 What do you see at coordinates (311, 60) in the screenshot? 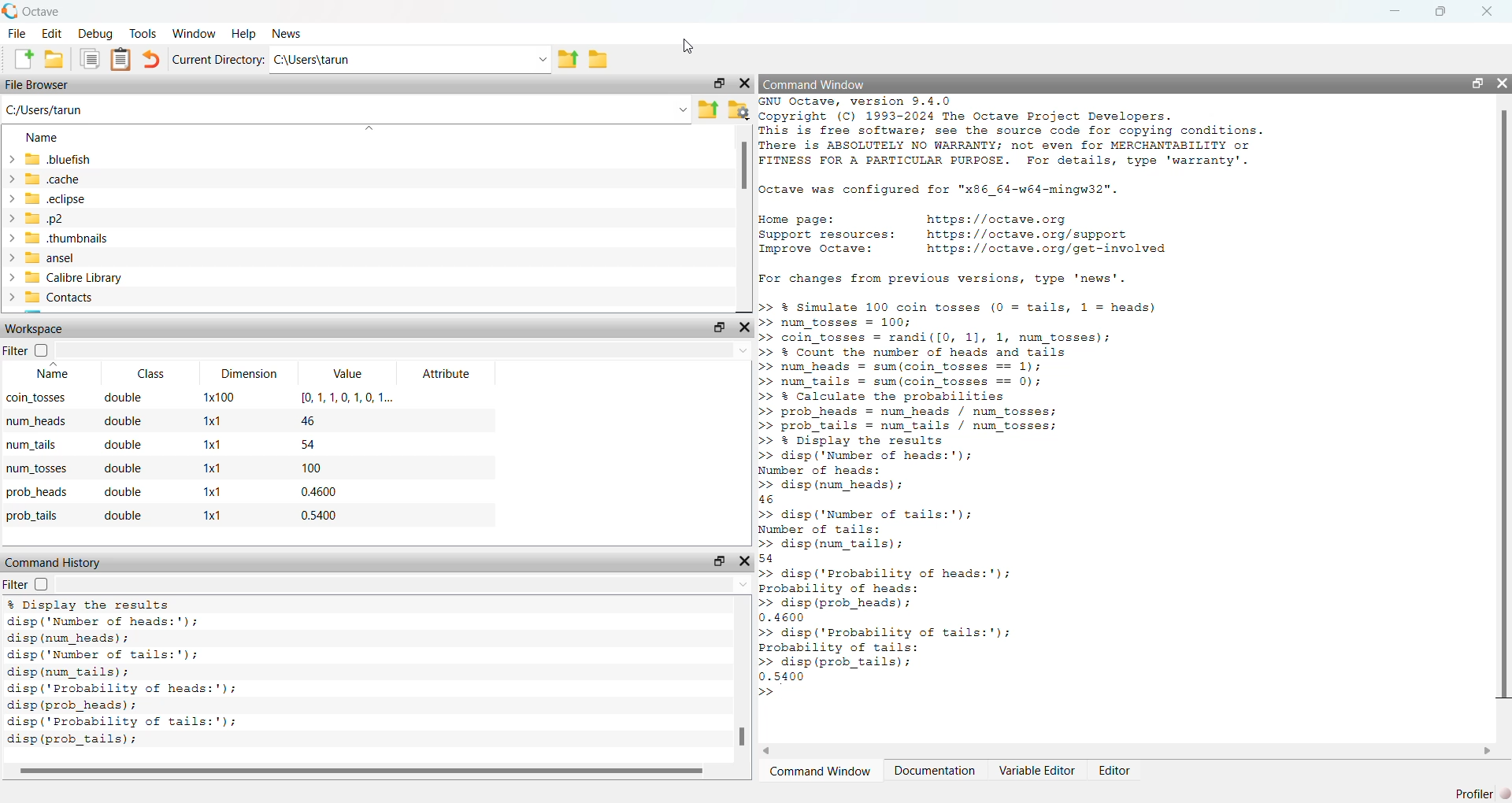
I see `C:\Users\tarun` at bounding box center [311, 60].